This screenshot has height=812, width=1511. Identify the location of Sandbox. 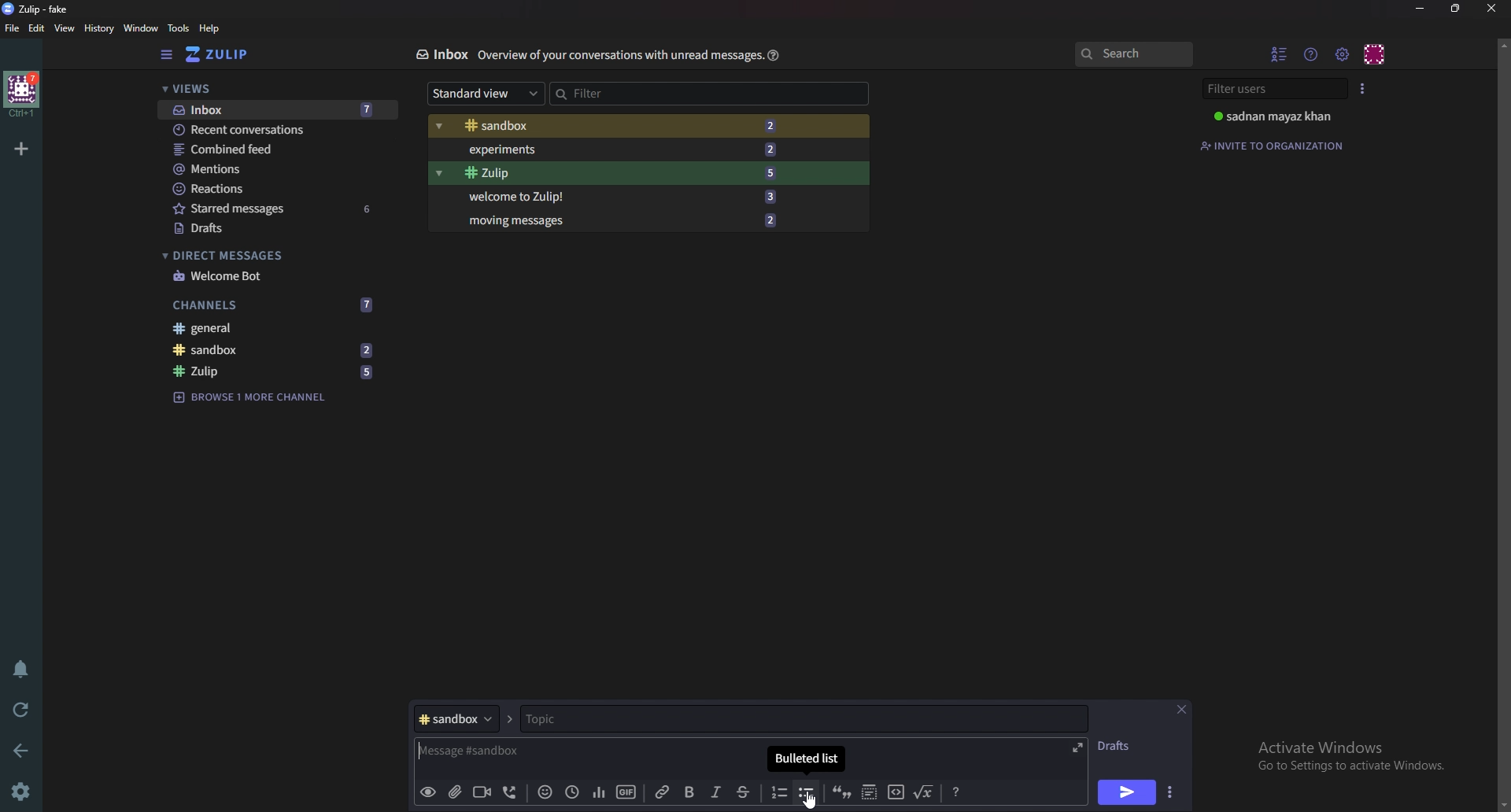
(614, 127).